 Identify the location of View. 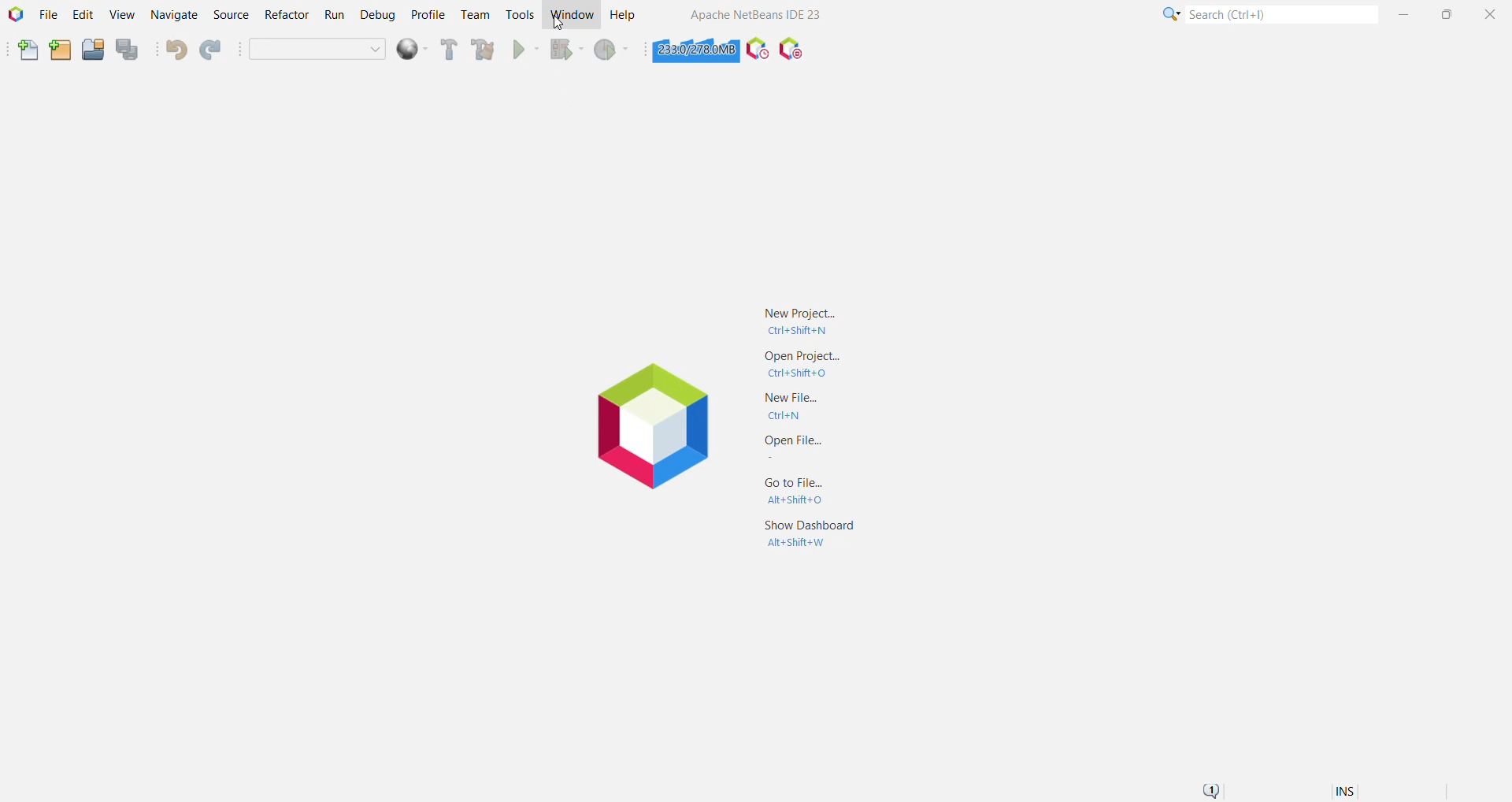
(122, 16).